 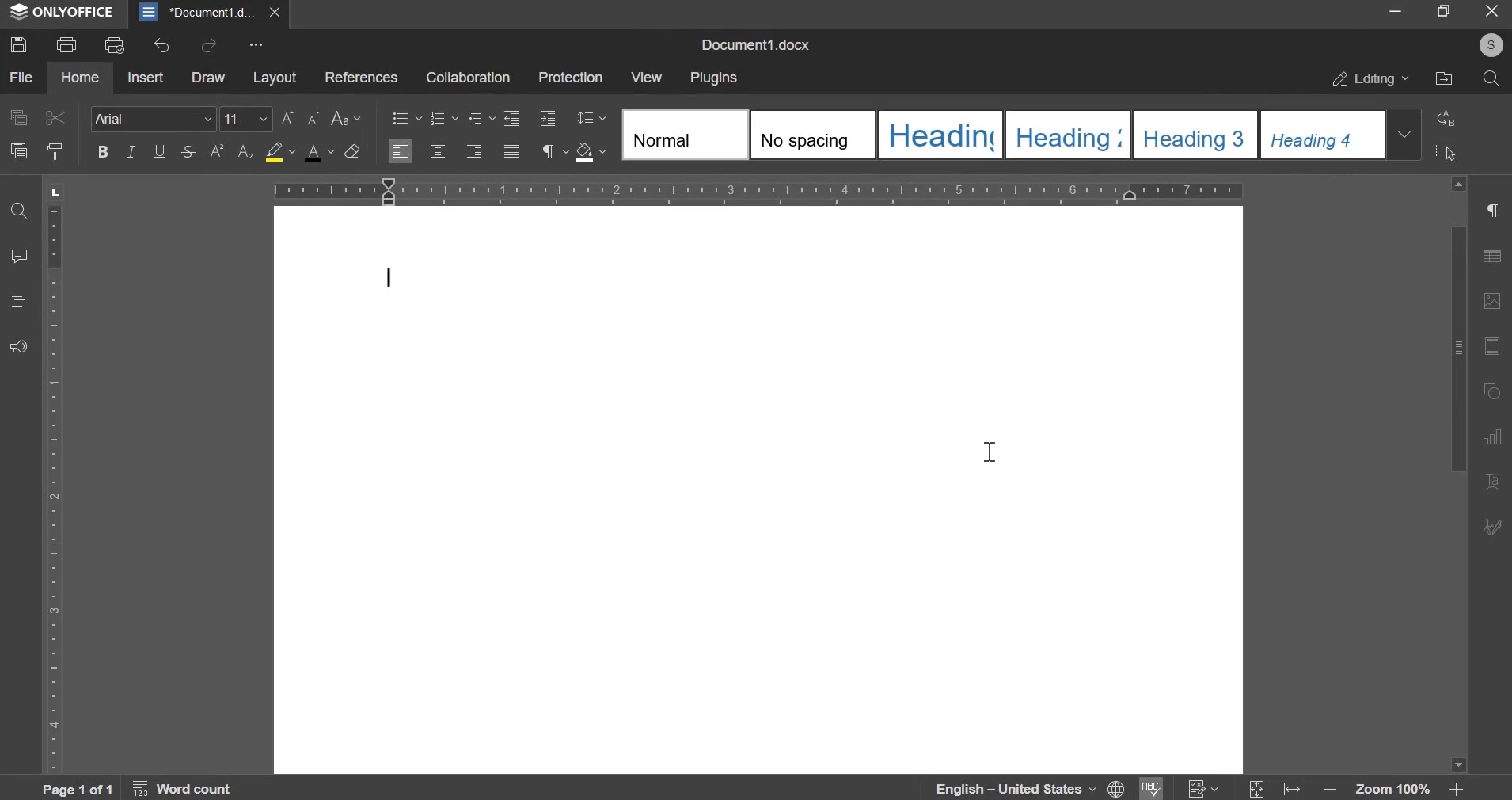 What do you see at coordinates (176, 787) in the screenshot?
I see `Word count` at bounding box center [176, 787].